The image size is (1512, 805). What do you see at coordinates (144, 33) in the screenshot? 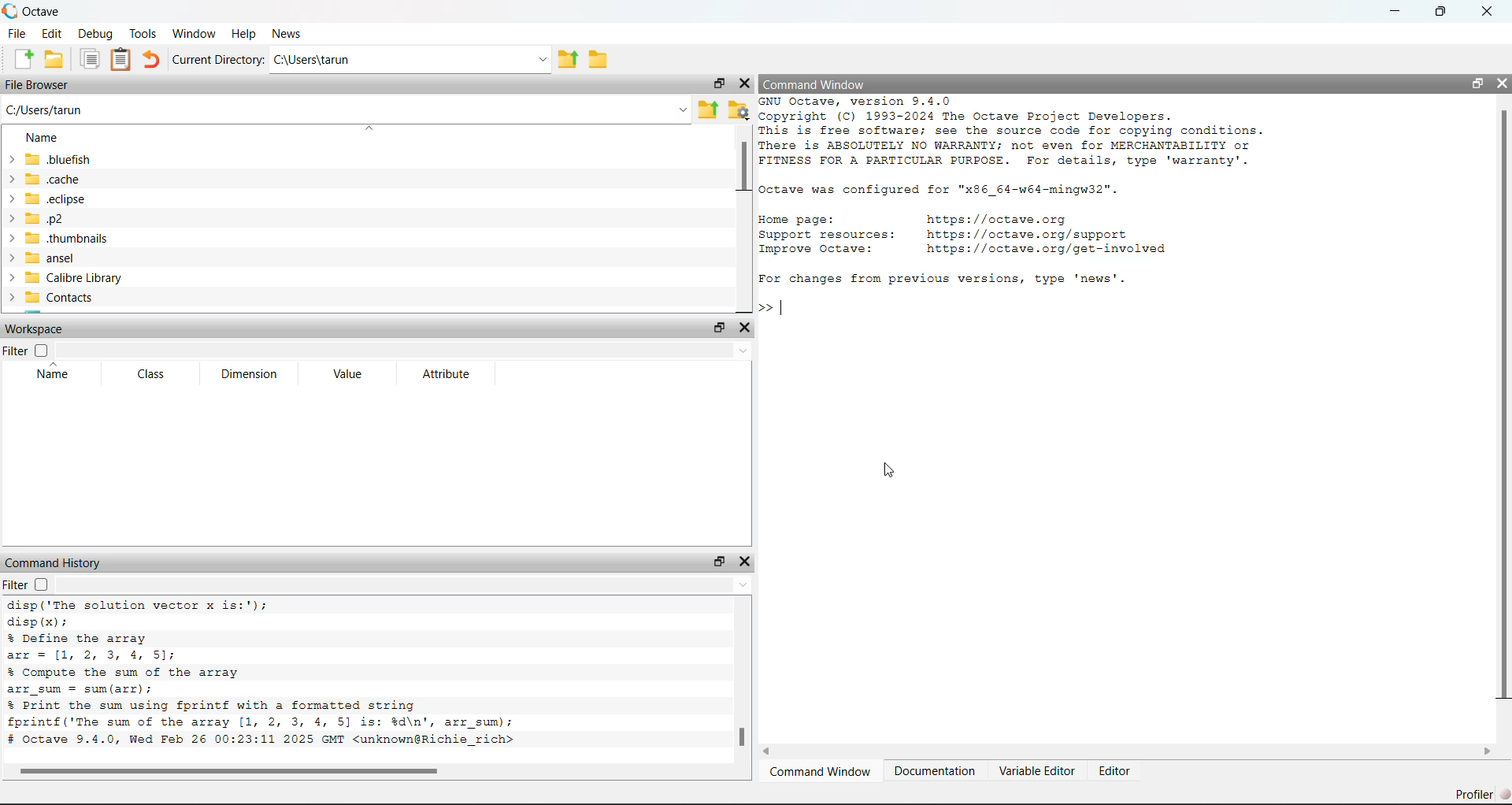
I see `Tools` at bounding box center [144, 33].